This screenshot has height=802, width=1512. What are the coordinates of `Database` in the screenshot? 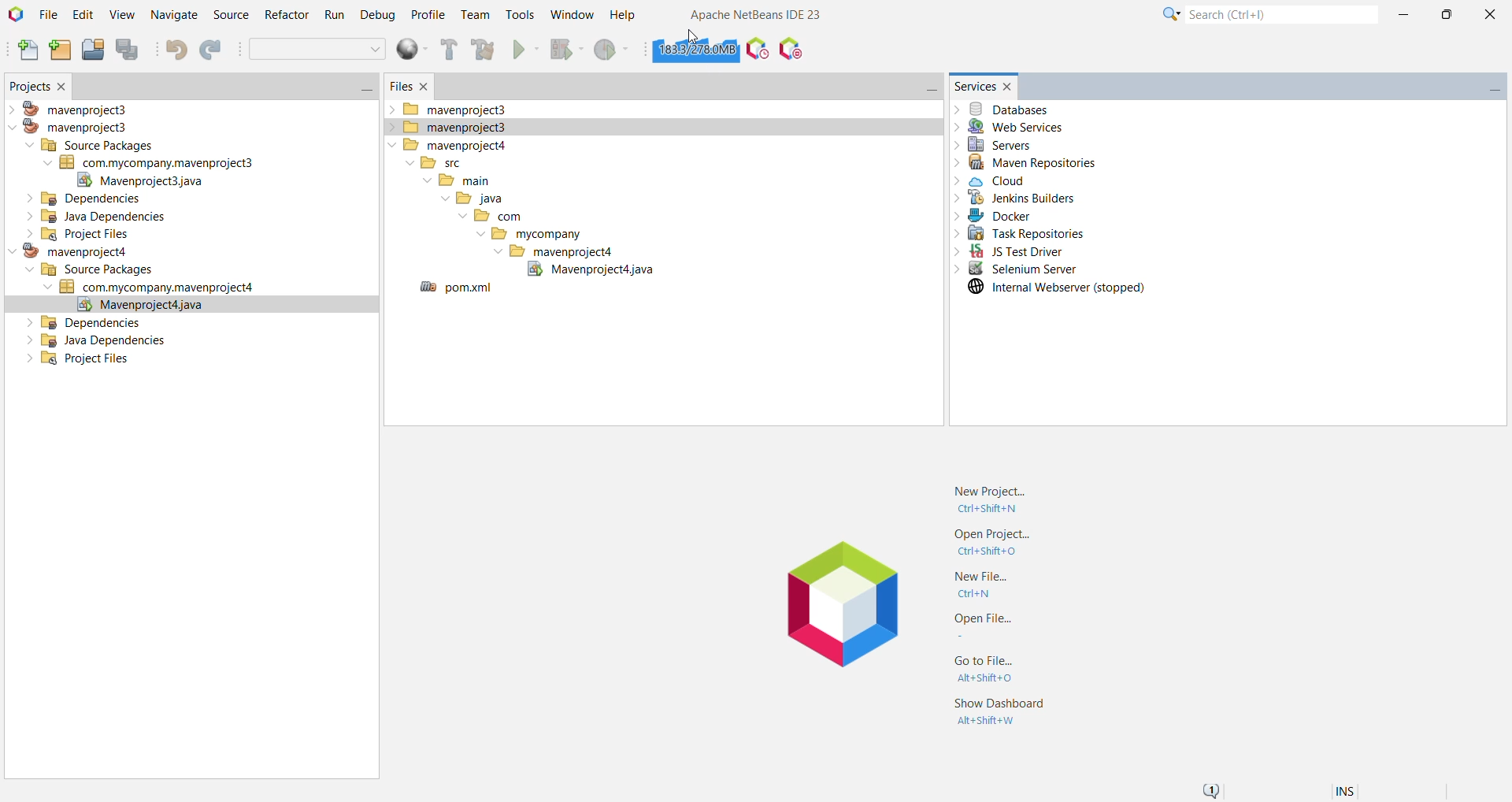 It's located at (1010, 108).